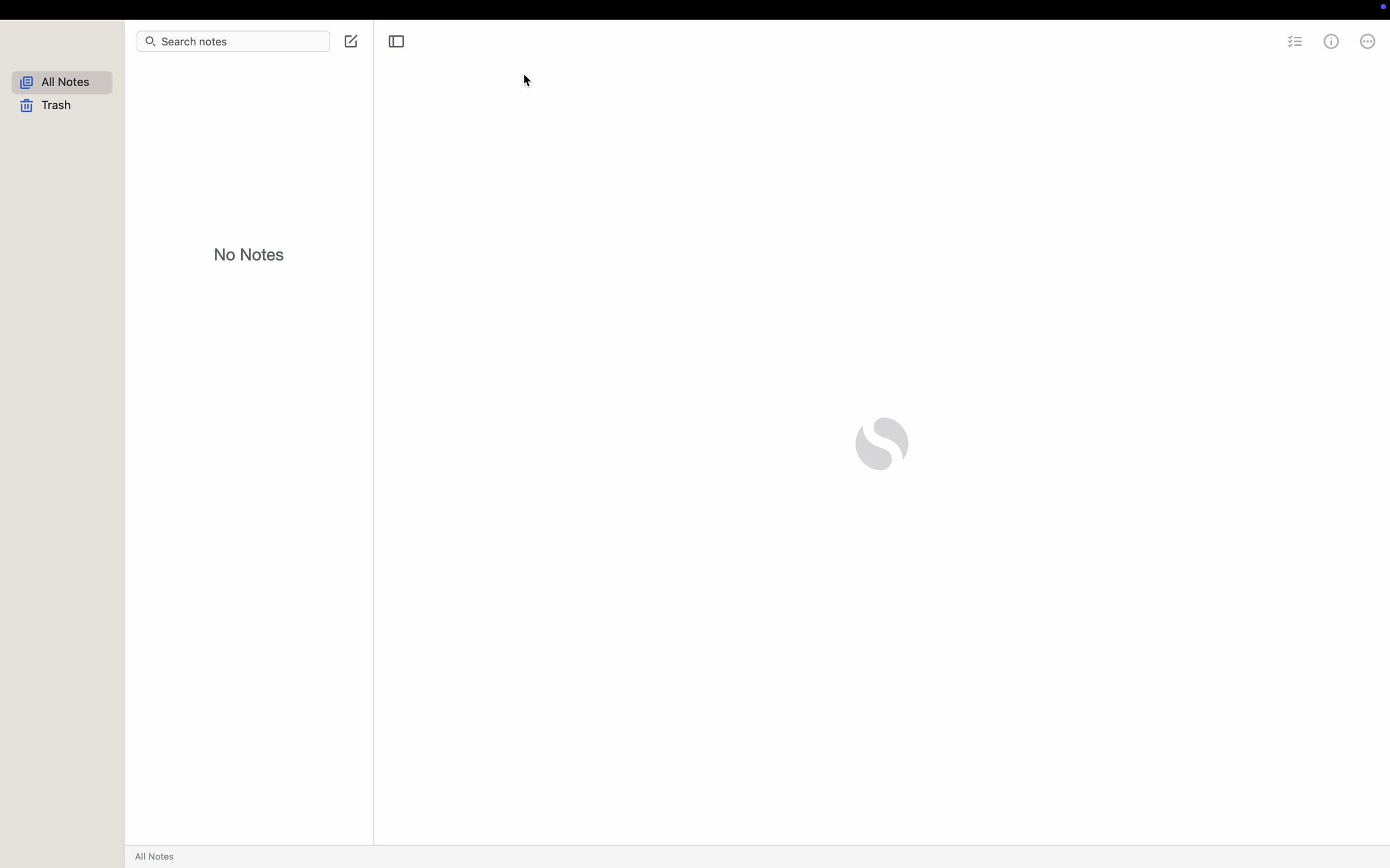 The height and width of the screenshot is (868, 1390). Describe the element at coordinates (397, 41) in the screenshot. I see `close bar` at that location.